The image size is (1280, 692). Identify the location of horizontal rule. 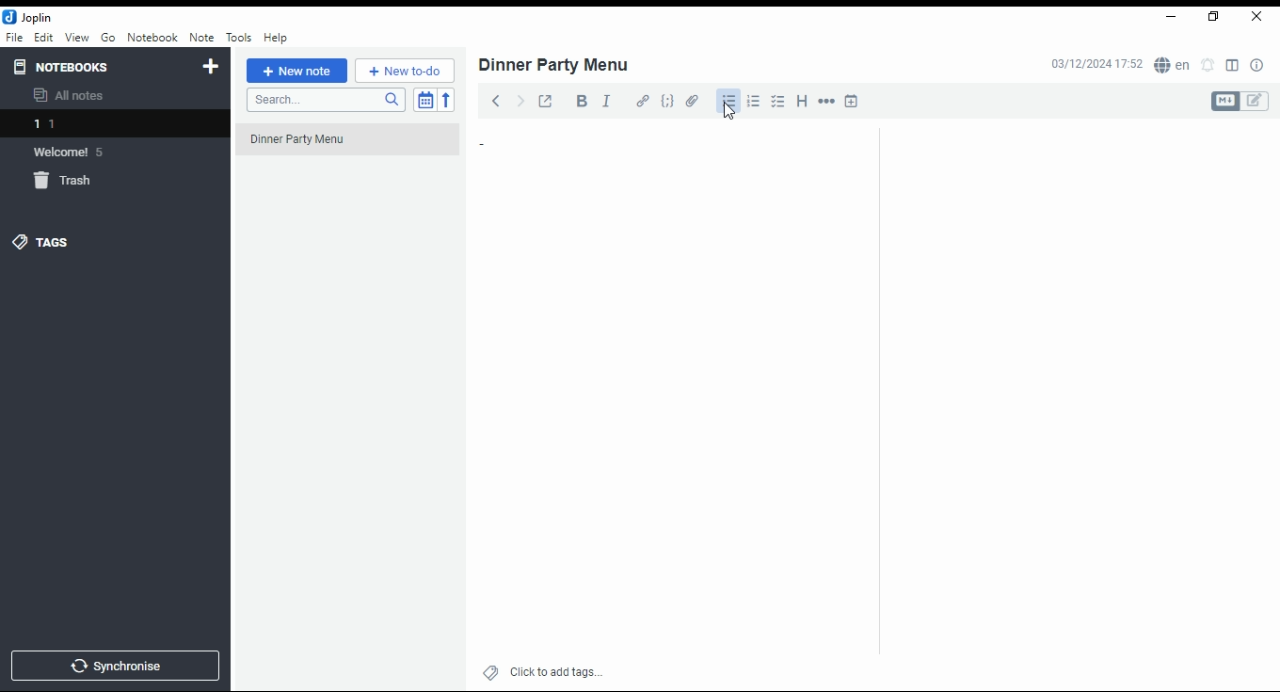
(827, 100).